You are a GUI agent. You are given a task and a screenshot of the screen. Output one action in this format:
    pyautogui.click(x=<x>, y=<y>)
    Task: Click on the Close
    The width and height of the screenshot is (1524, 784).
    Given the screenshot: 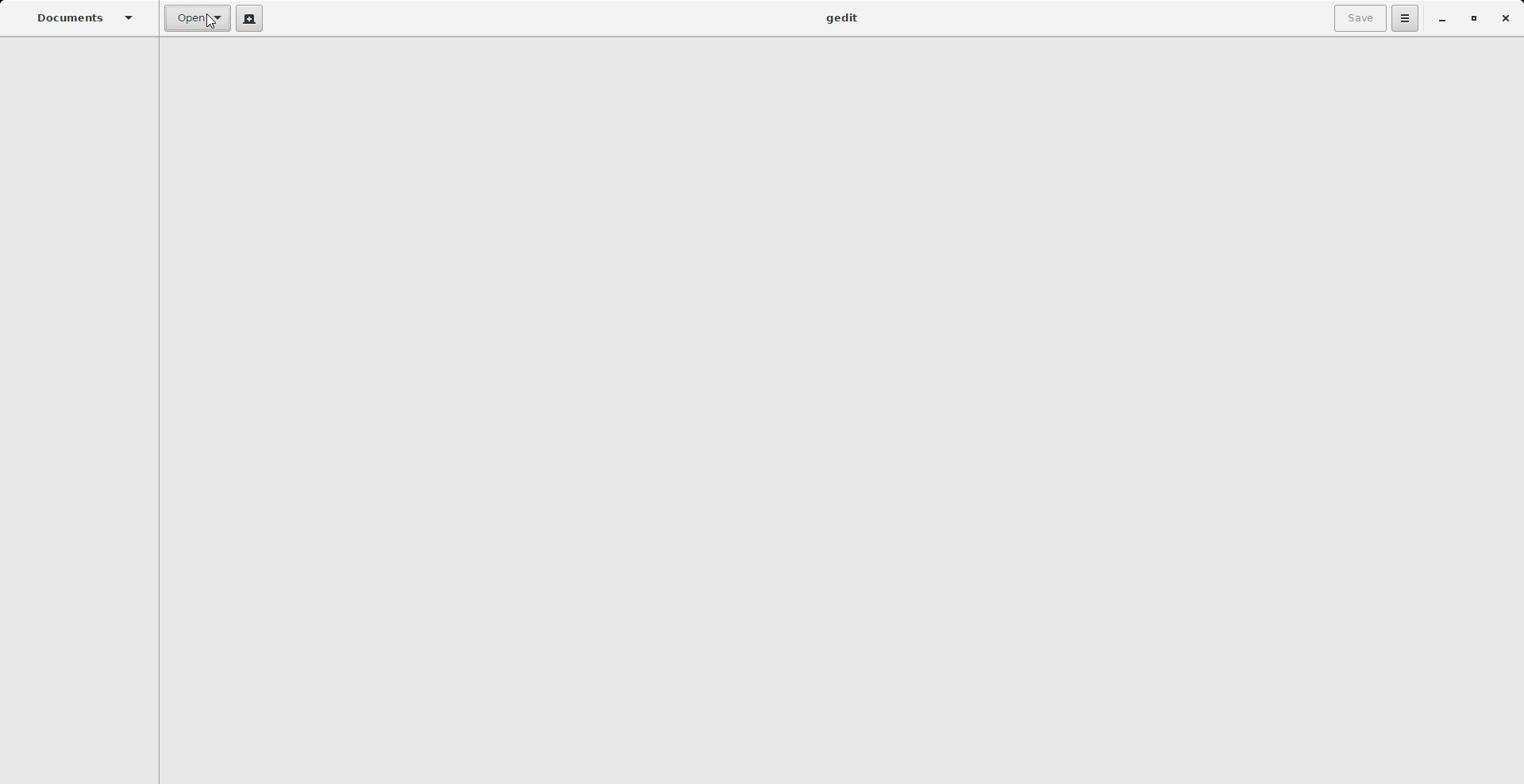 What is the action you would take?
    pyautogui.click(x=1506, y=20)
    